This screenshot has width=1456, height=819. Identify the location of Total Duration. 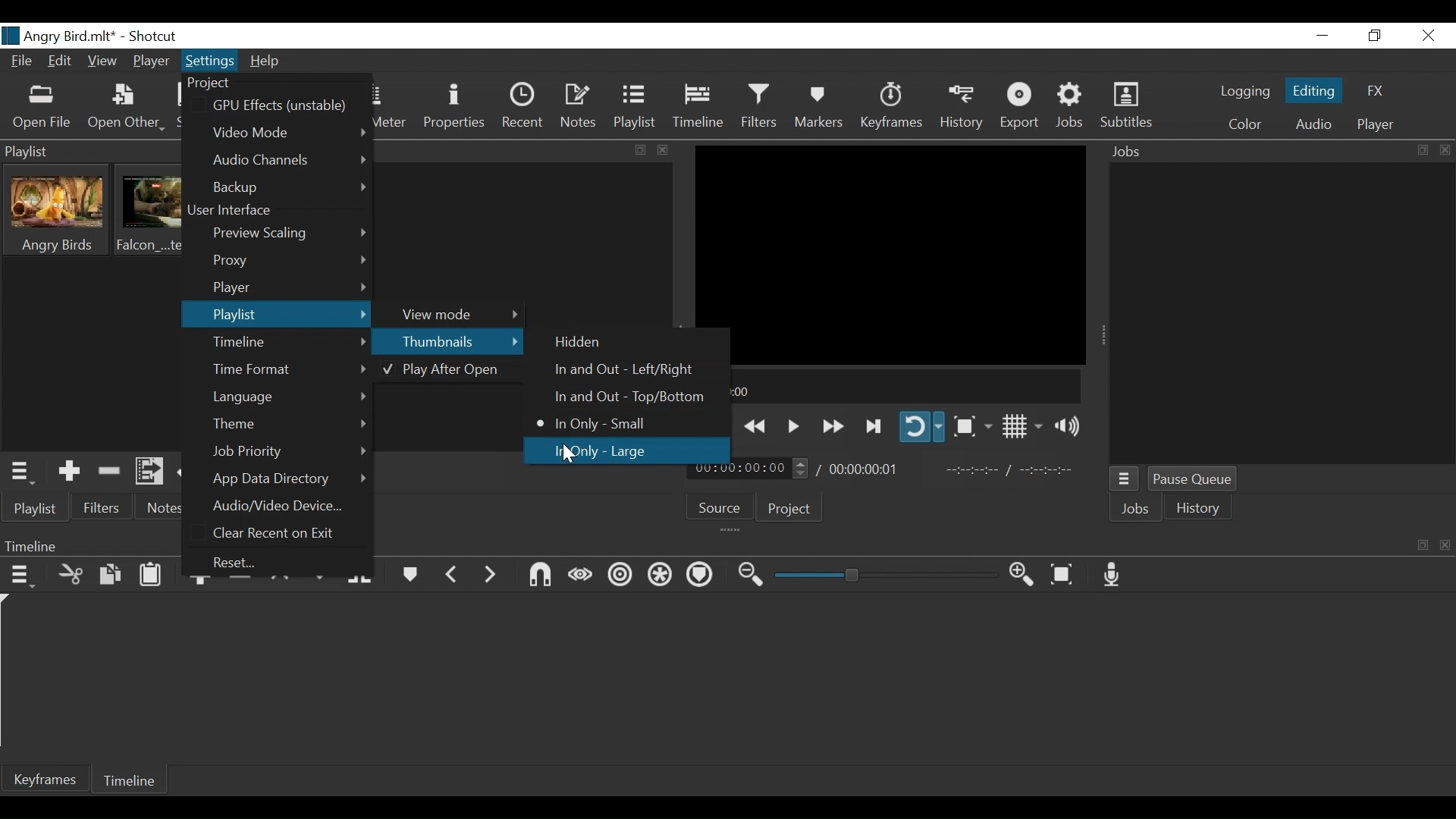
(863, 468).